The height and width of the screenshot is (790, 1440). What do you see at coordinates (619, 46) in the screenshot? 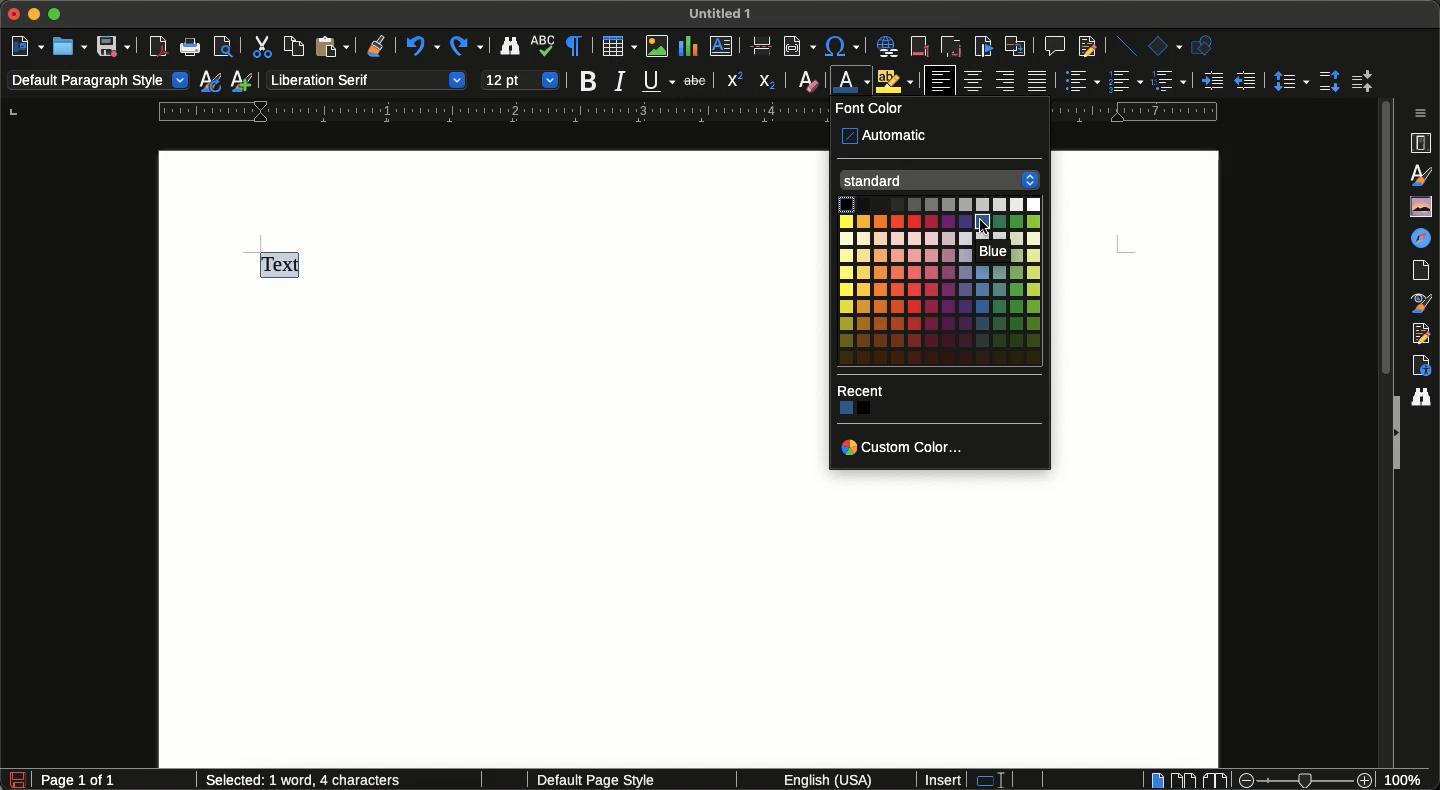
I see `Insert table` at bounding box center [619, 46].